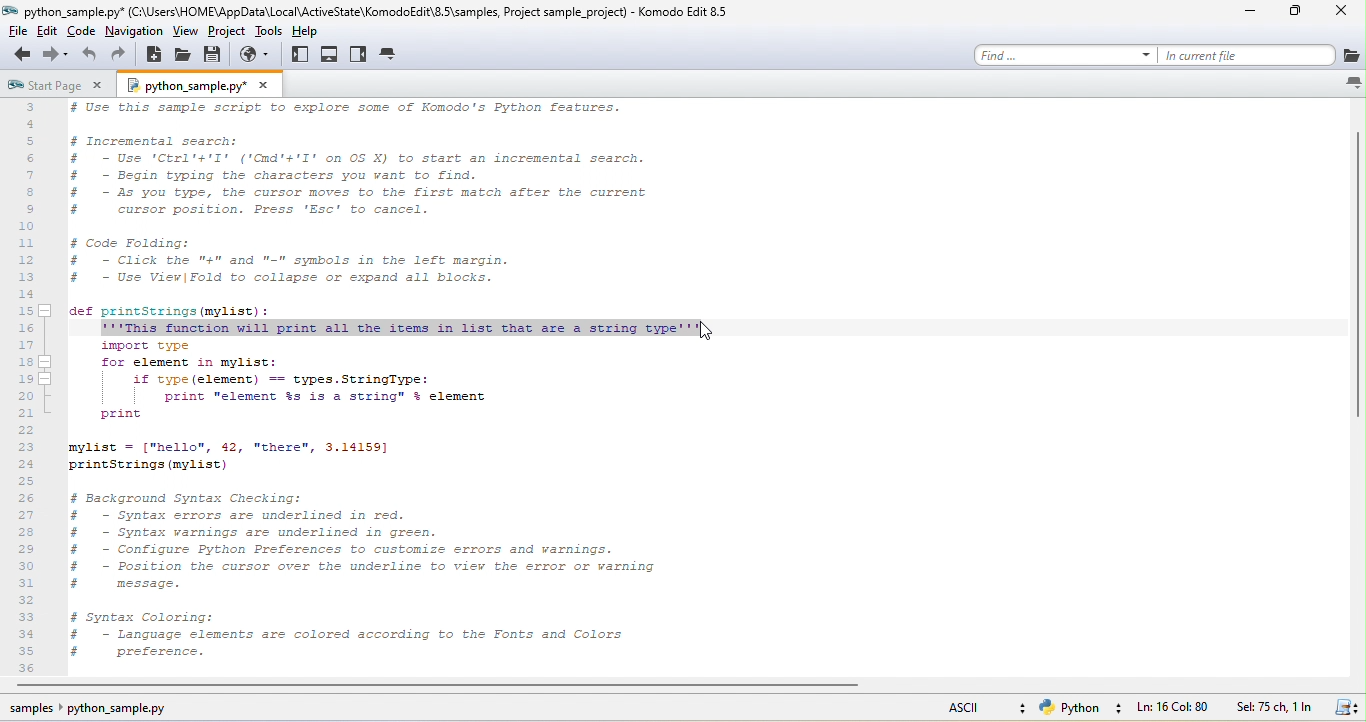  What do you see at coordinates (1245, 55) in the screenshot?
I see `in current file` at bounding box center [1245, 55].